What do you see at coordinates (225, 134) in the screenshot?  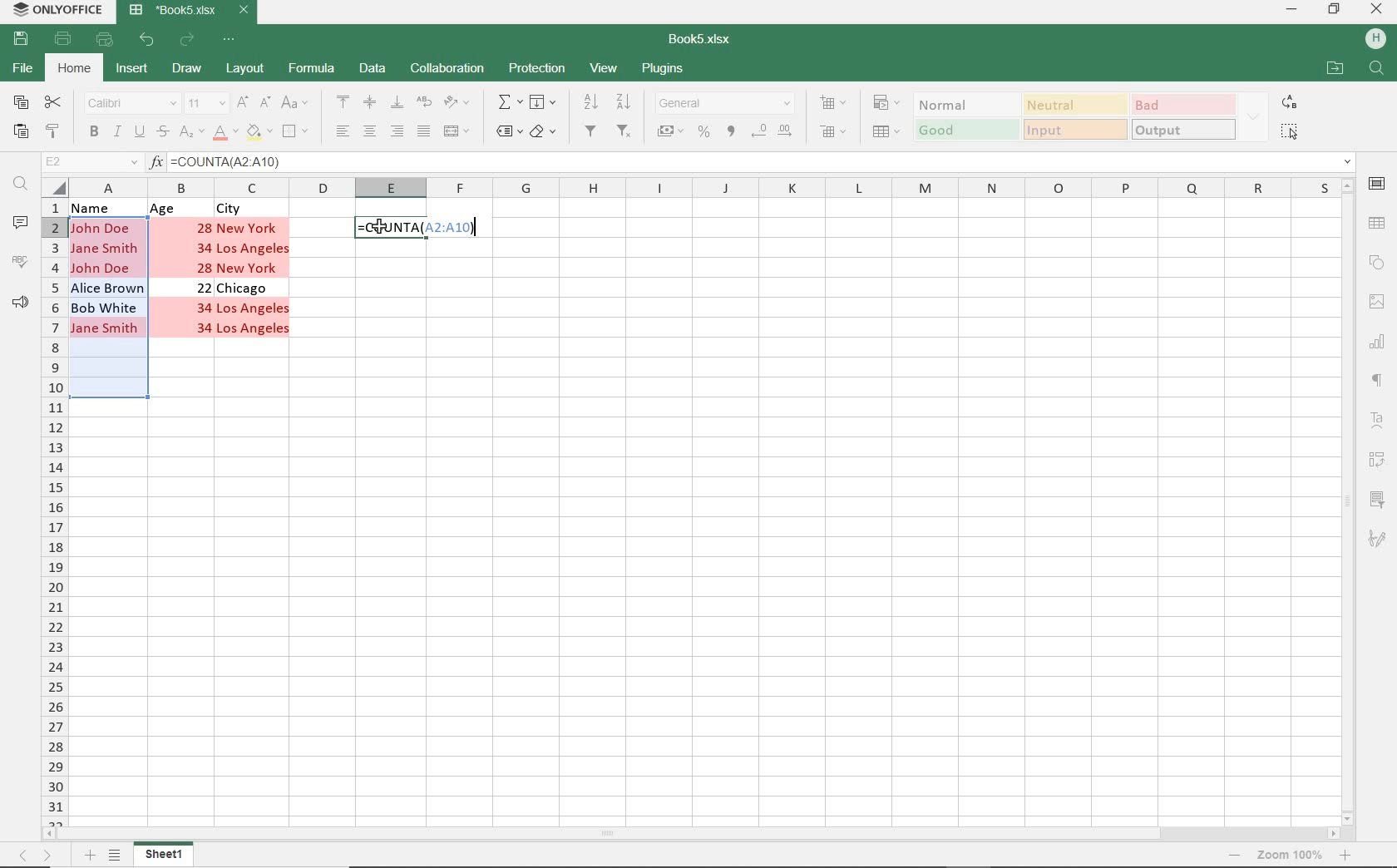 I see `FONT COLOR` at bounding box center [225, 134].